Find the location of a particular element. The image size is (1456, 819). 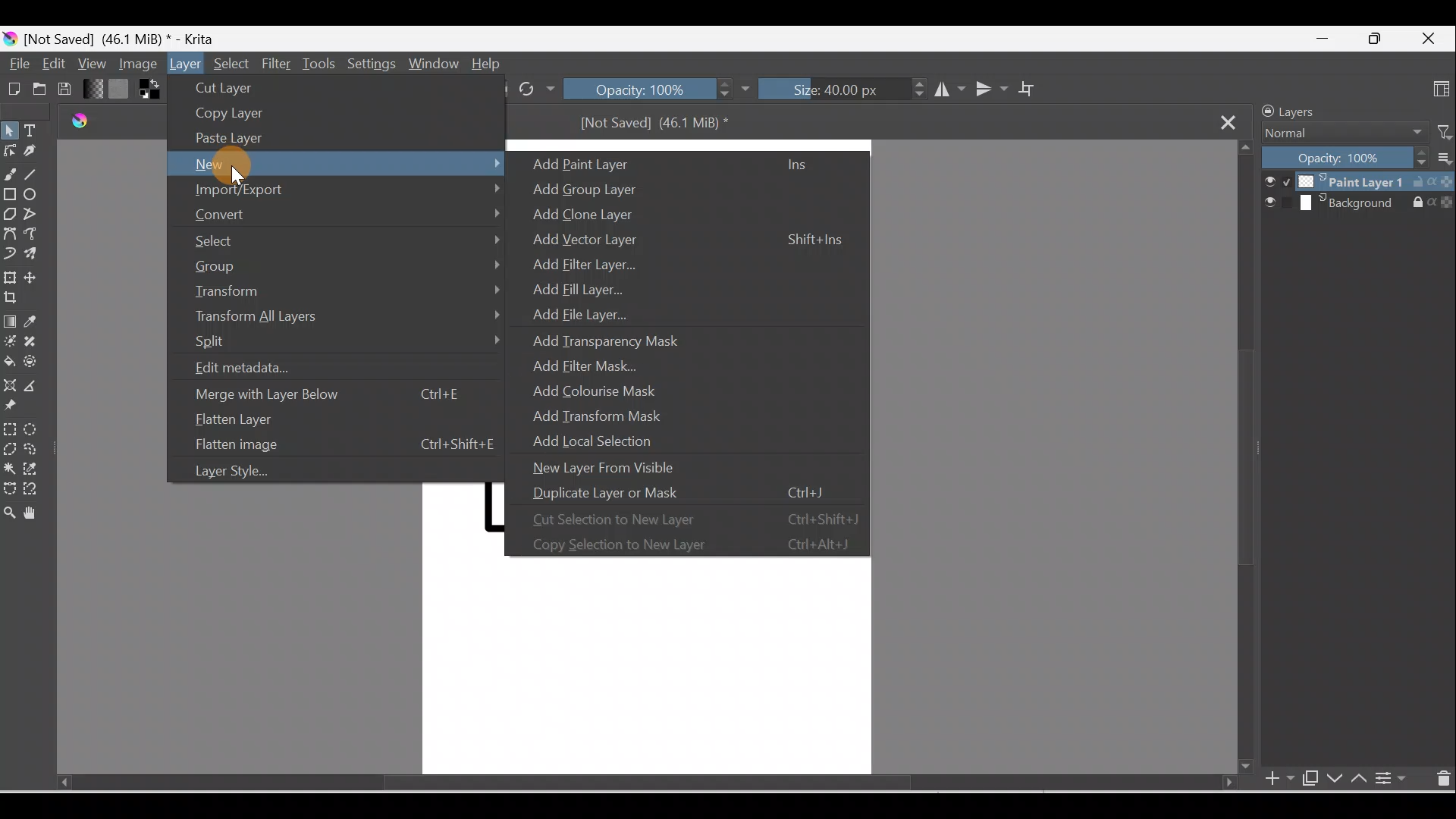

Enclose & fill tool is located at coordinates (35, 365).